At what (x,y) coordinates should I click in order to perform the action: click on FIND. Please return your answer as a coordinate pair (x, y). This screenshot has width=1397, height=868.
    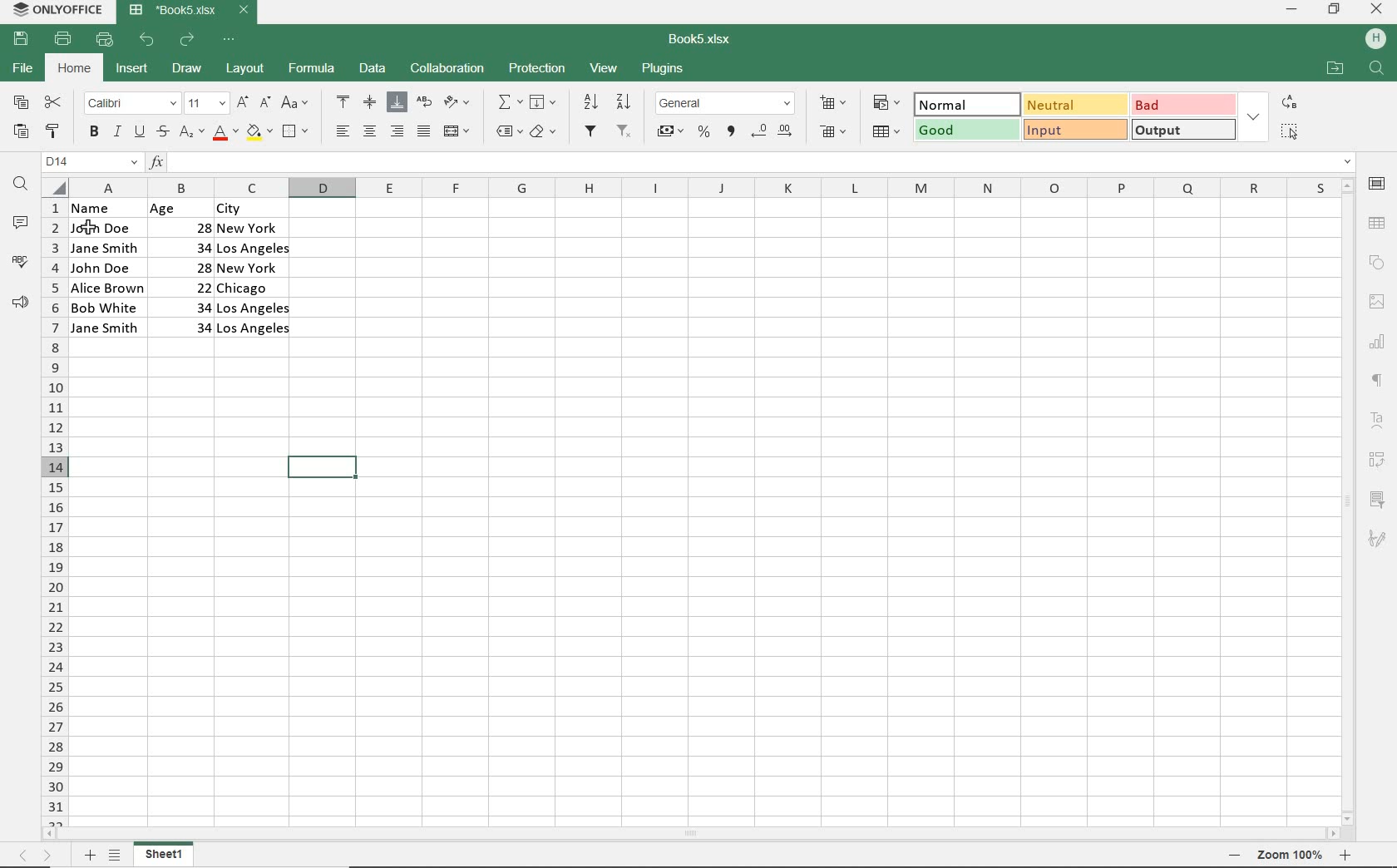
    Looking at the image, I should click on (1377, 69).